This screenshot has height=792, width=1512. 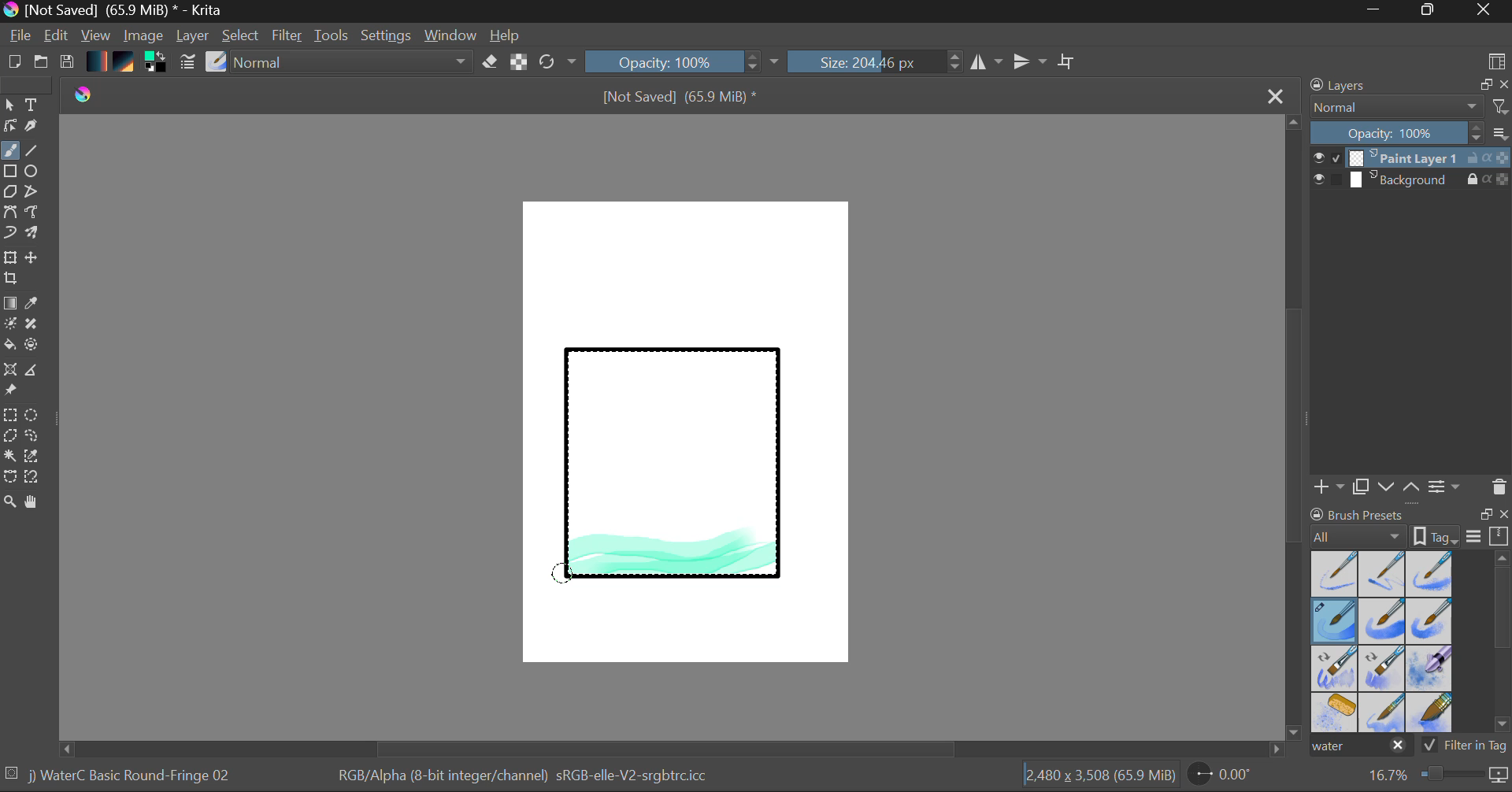 What do you see at coordinates (9, 128) in the screenshot?
I see `Edit Shapes` at bounding box center [9, 128].